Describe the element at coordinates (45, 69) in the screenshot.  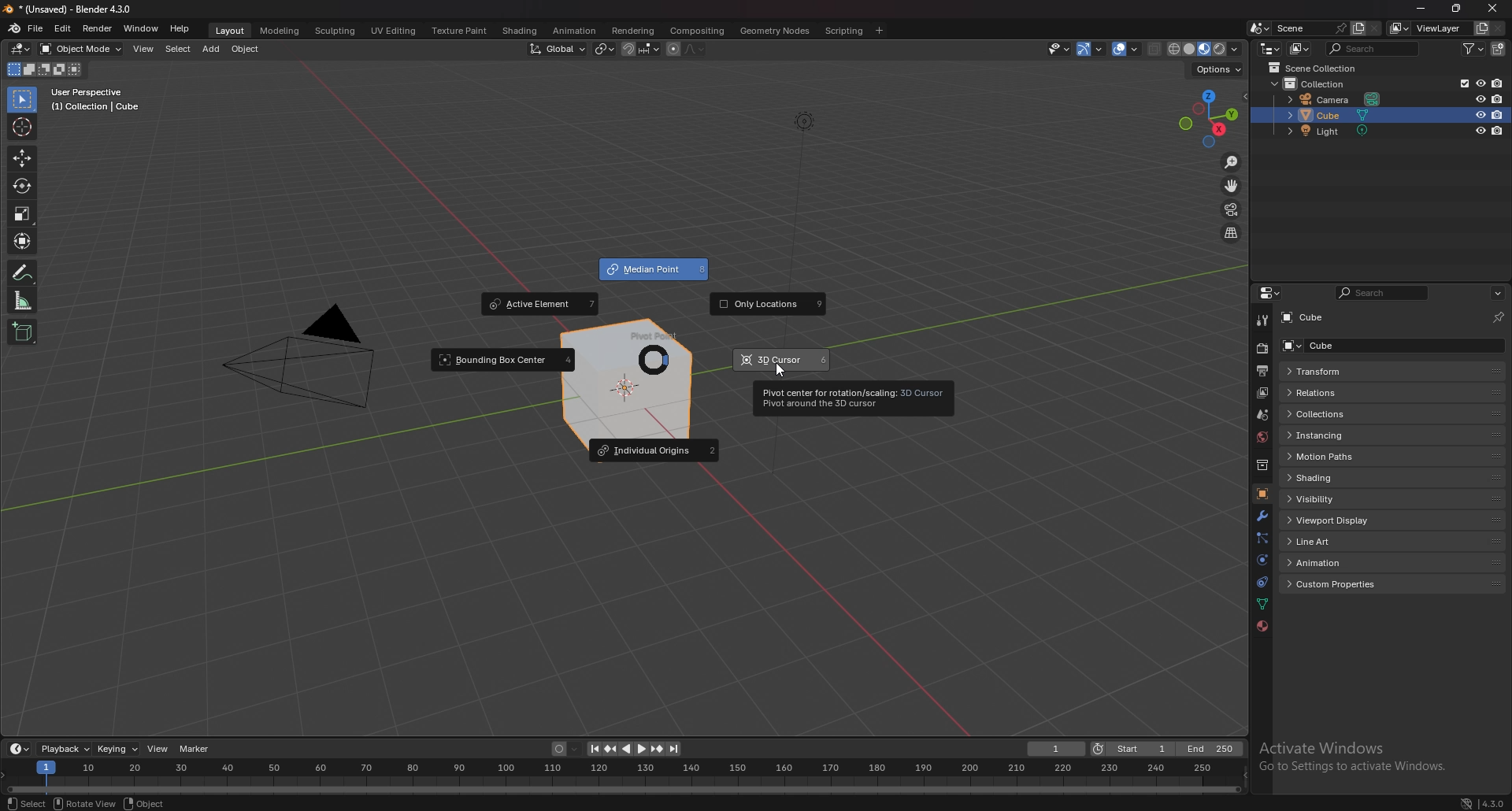
I see `mode` at that location.